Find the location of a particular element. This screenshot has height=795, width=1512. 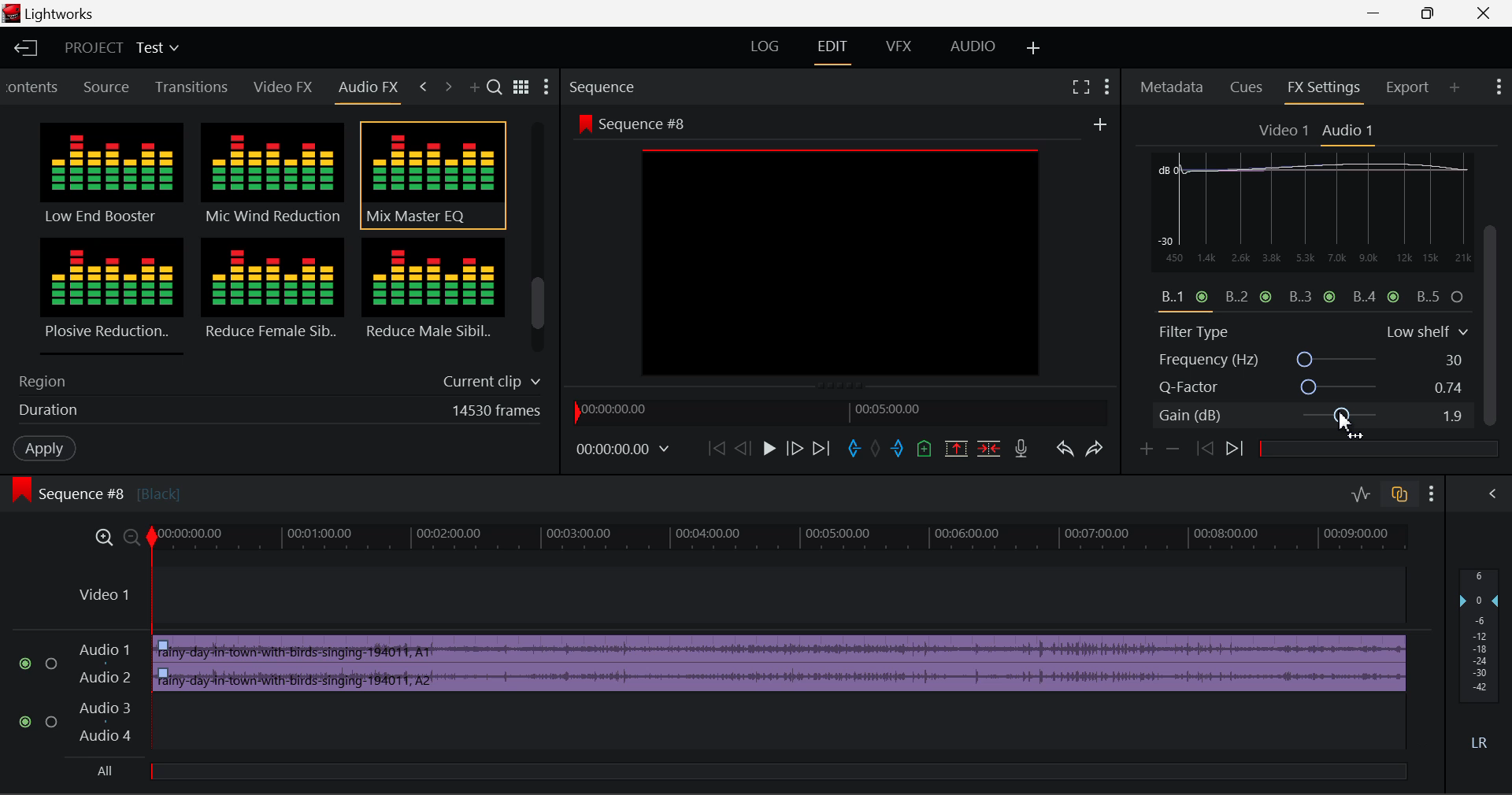

Next Tab is located at coordinates (447, 85).